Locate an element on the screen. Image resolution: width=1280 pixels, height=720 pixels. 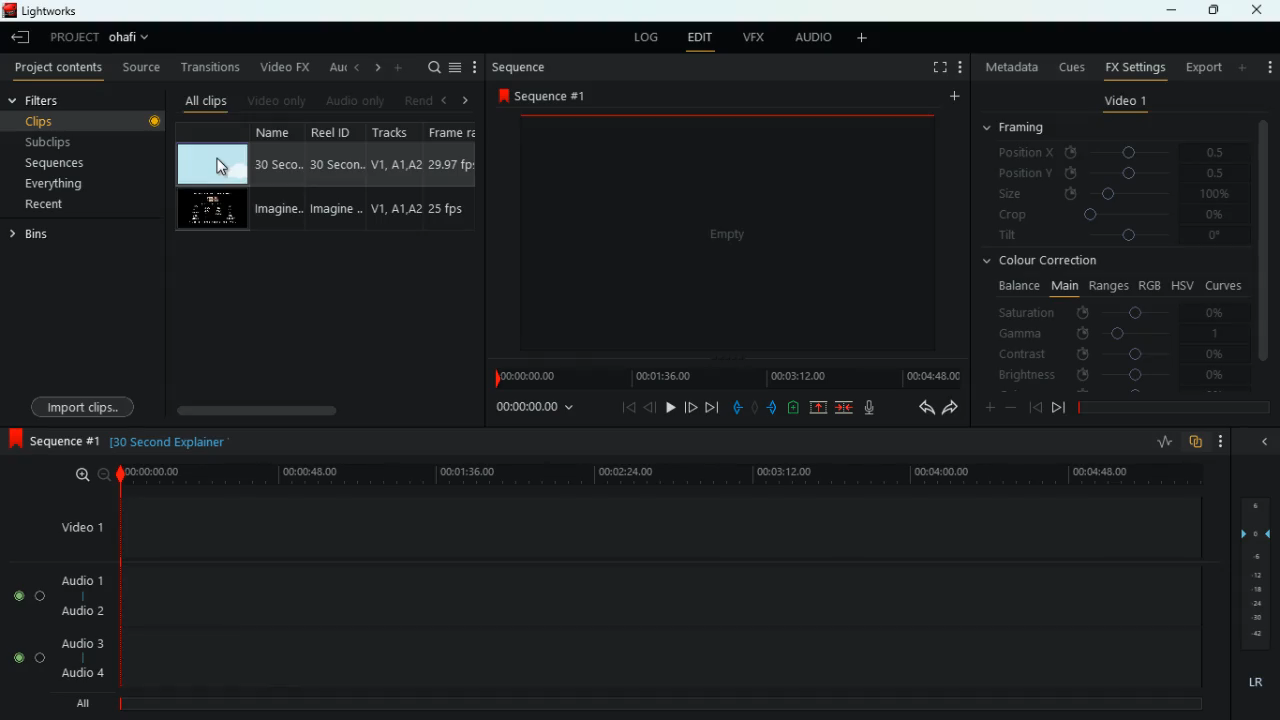
jump is located at coordinates (690, 408).